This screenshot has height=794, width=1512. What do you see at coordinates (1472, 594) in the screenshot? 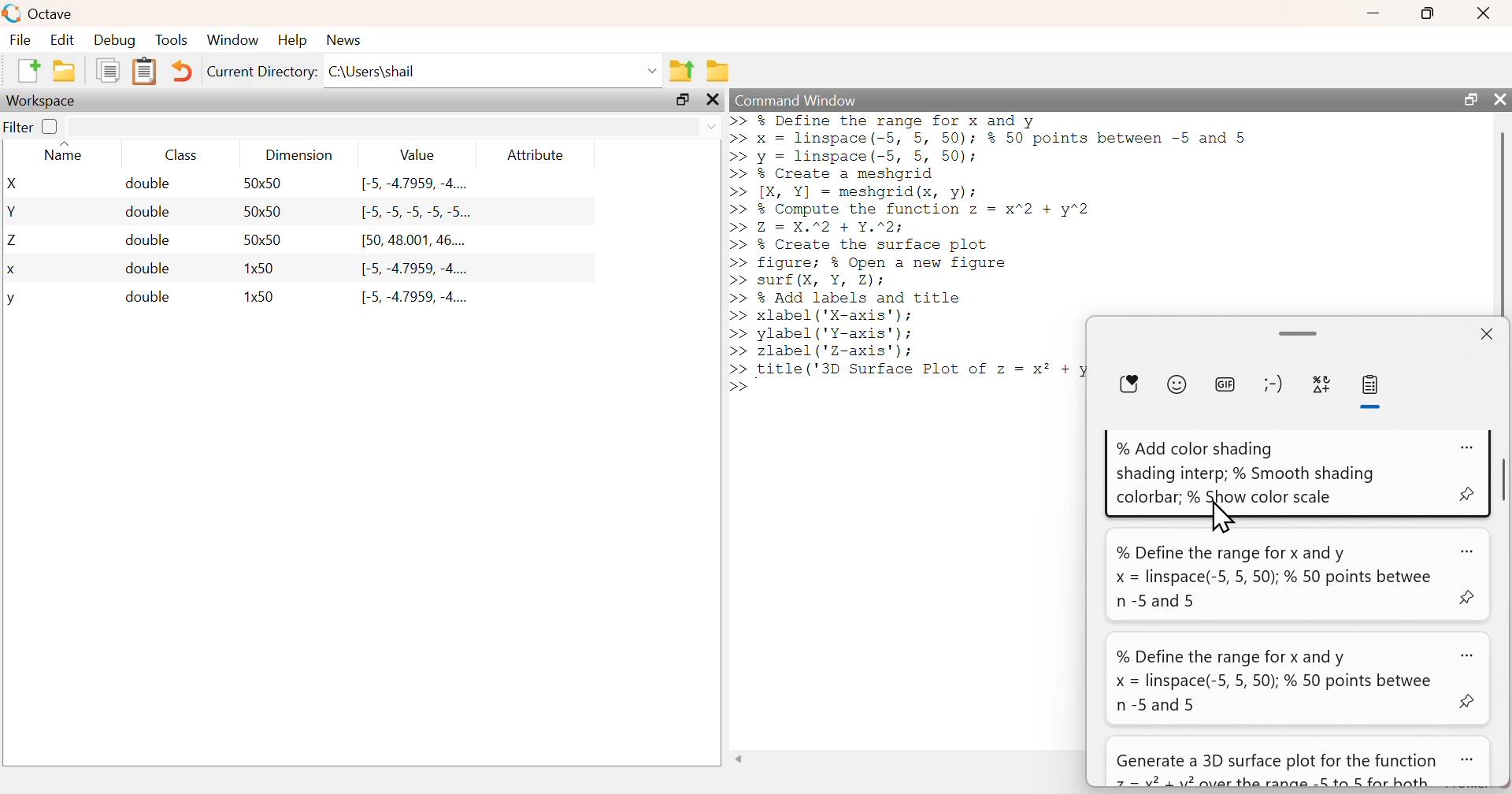
I see `pin` at bounding box center [1472, 594].